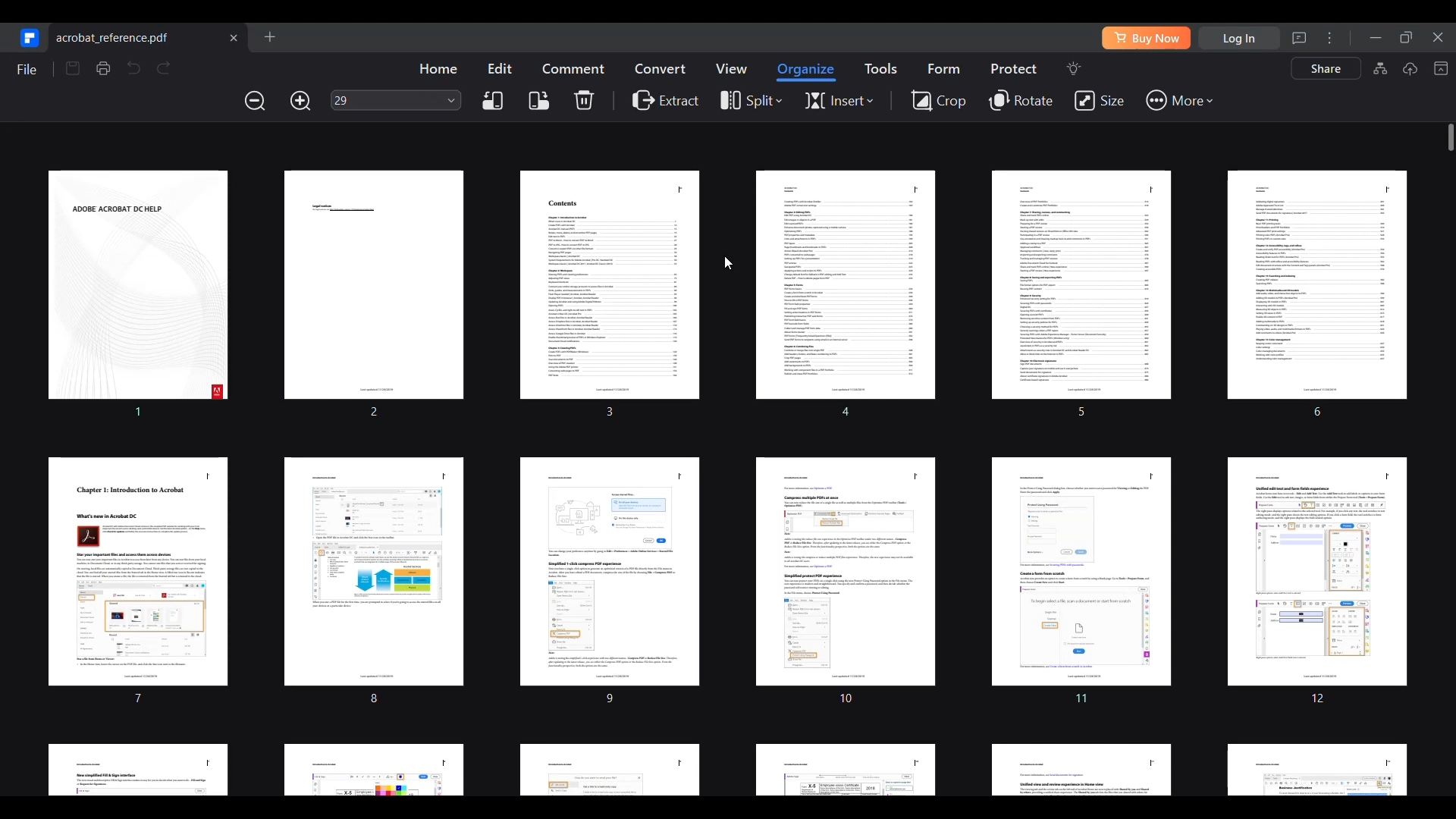 This screenshot has width=1456, height=819. I want to click on Left rotate, so click(492, 101).